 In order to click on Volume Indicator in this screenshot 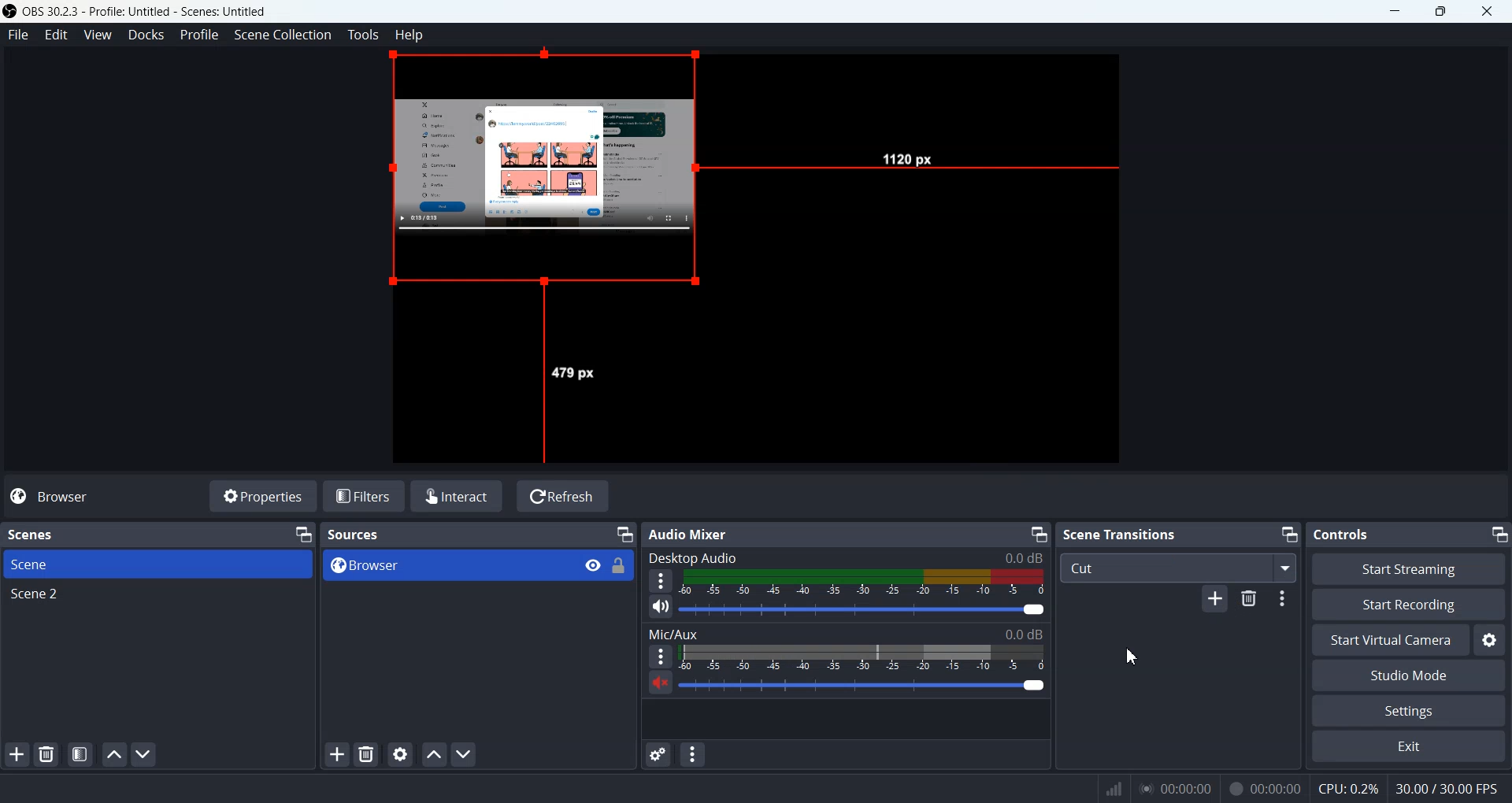, I will do `click(865, 583)`.